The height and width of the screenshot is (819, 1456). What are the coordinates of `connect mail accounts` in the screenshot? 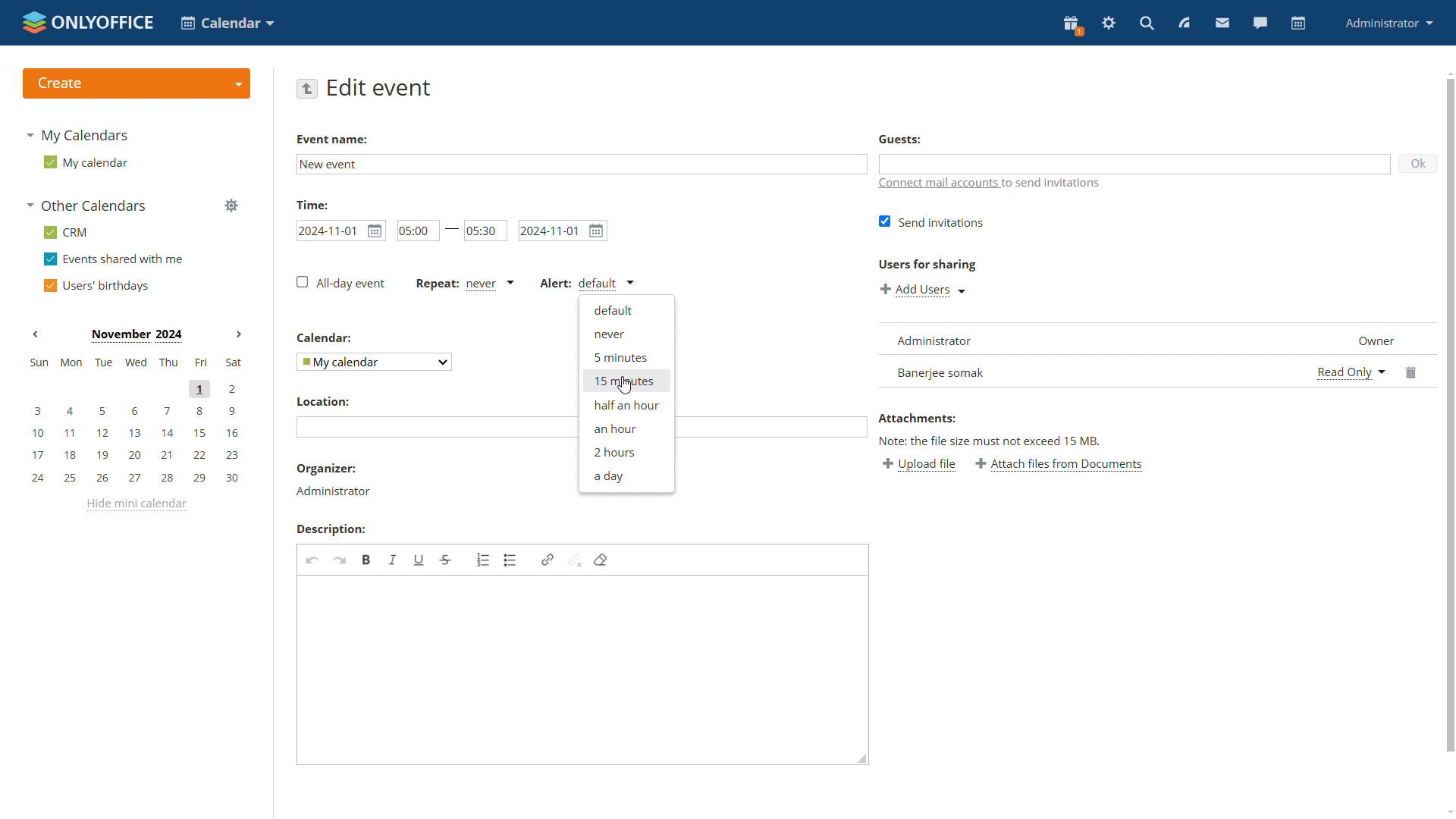 It's located at (939, 185).